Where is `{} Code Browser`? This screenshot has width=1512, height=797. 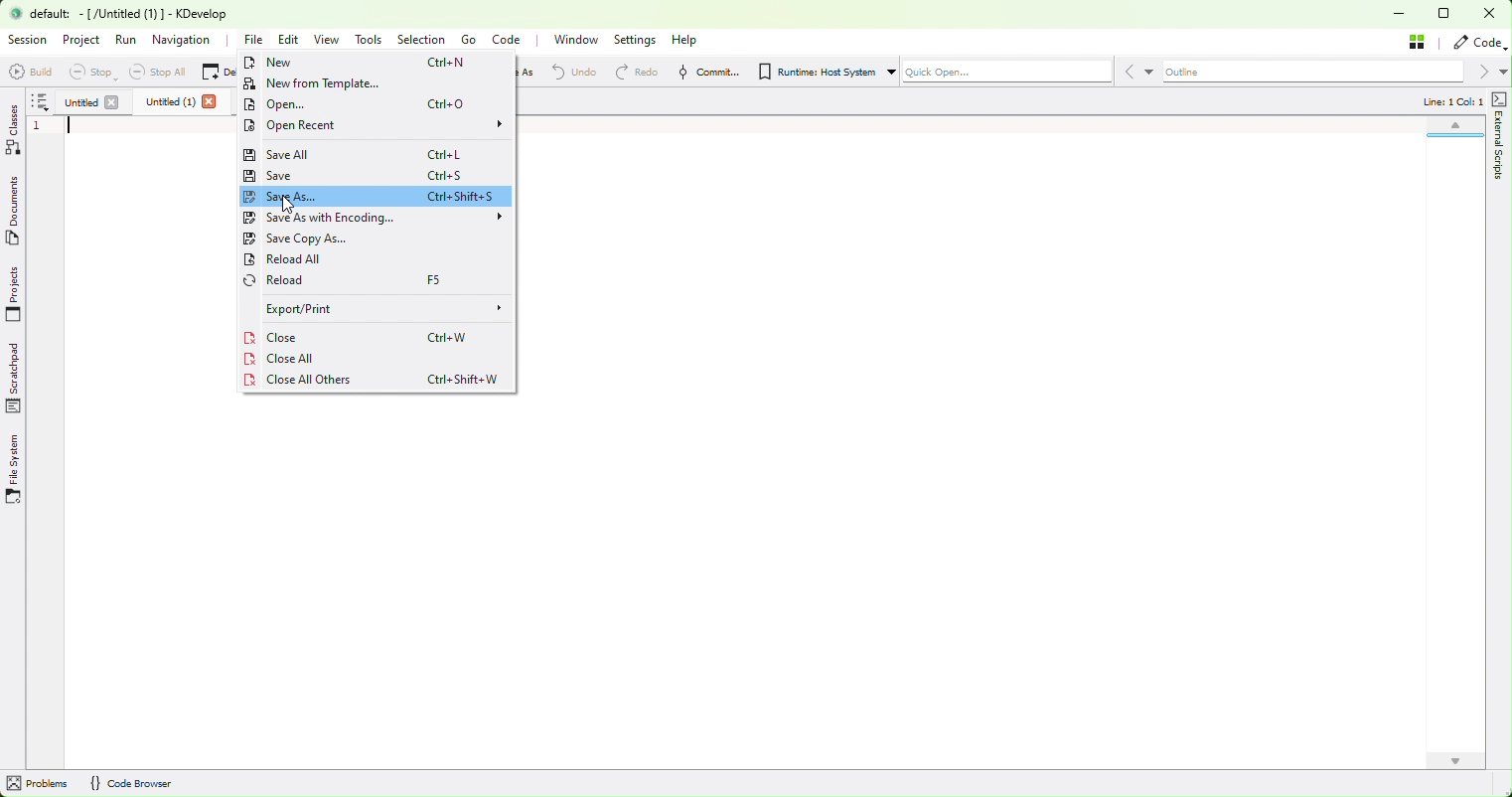
{} Code Browser is located at coordinates (131, 784).